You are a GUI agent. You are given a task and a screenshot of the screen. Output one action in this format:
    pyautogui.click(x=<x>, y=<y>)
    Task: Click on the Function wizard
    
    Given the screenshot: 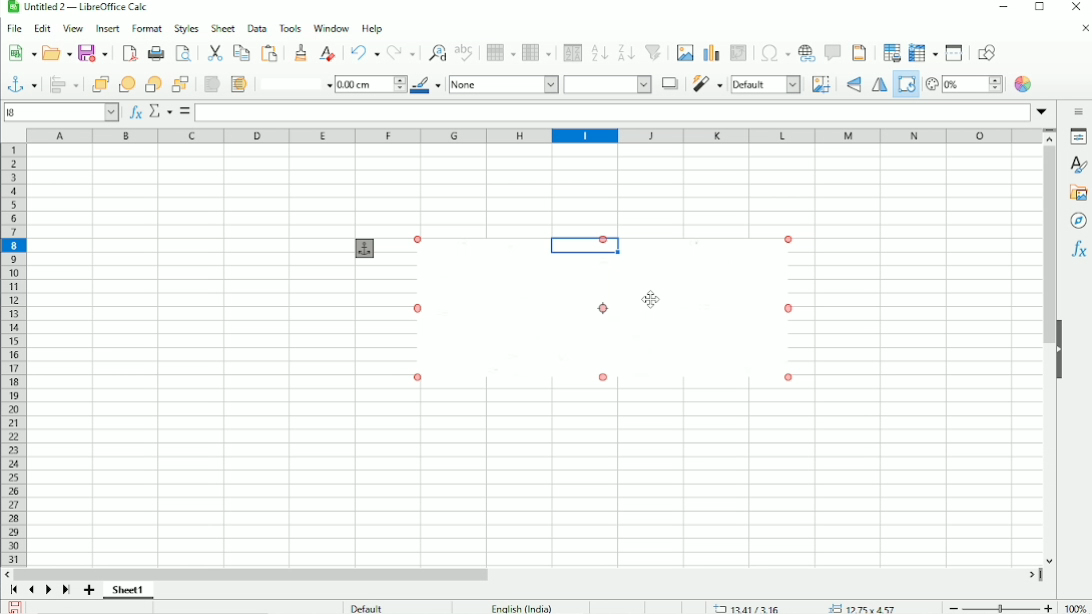 What is the action you would take?
    pyautogui.click(x=135, y=112)
    